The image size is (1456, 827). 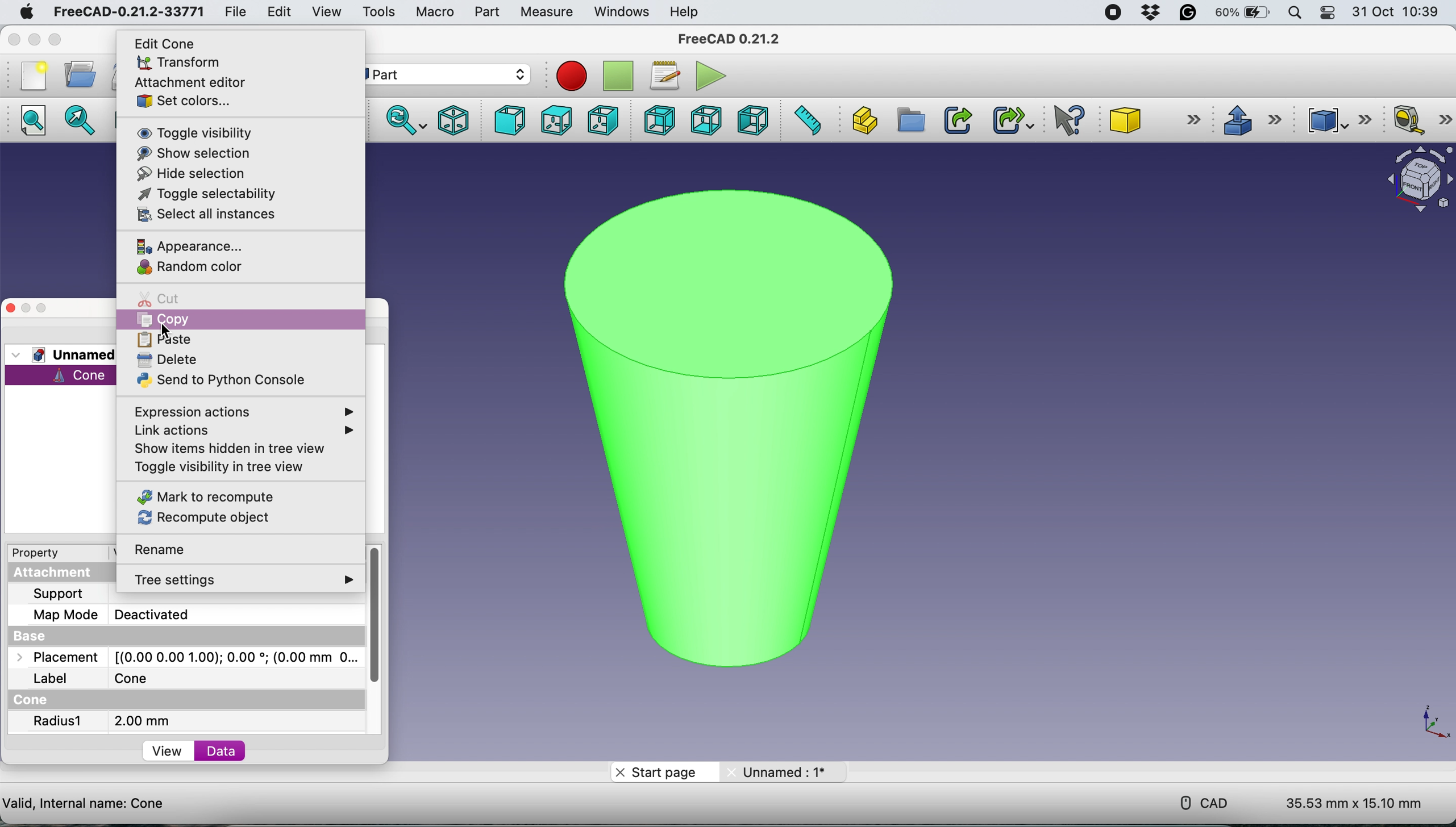 I want to click on link actions, so click(x=236, y=431).